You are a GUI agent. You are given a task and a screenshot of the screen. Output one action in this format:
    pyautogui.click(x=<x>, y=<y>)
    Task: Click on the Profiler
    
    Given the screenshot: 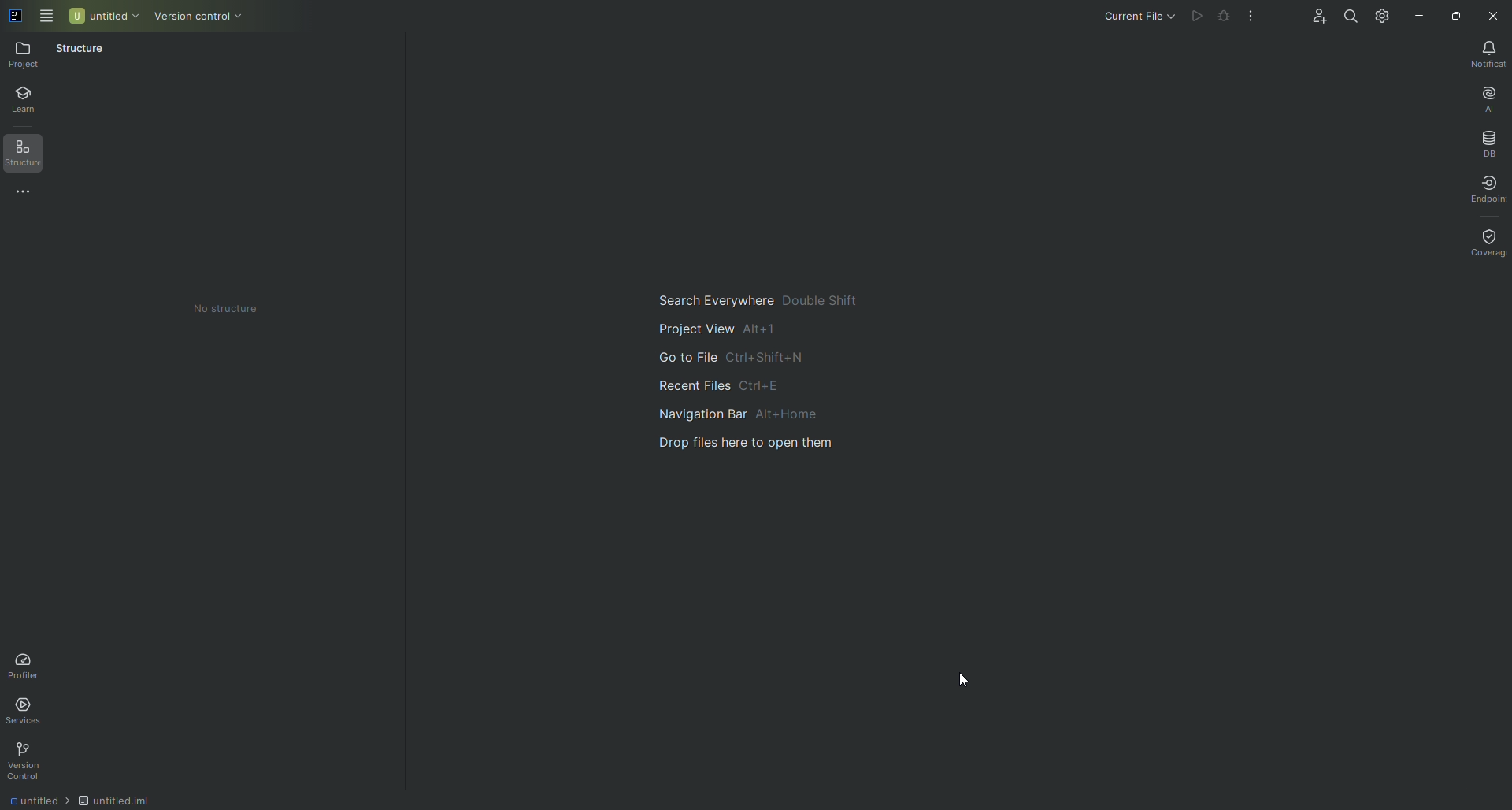 What is the action you would take?
    pyautogui.click(x=24, y=663)
    